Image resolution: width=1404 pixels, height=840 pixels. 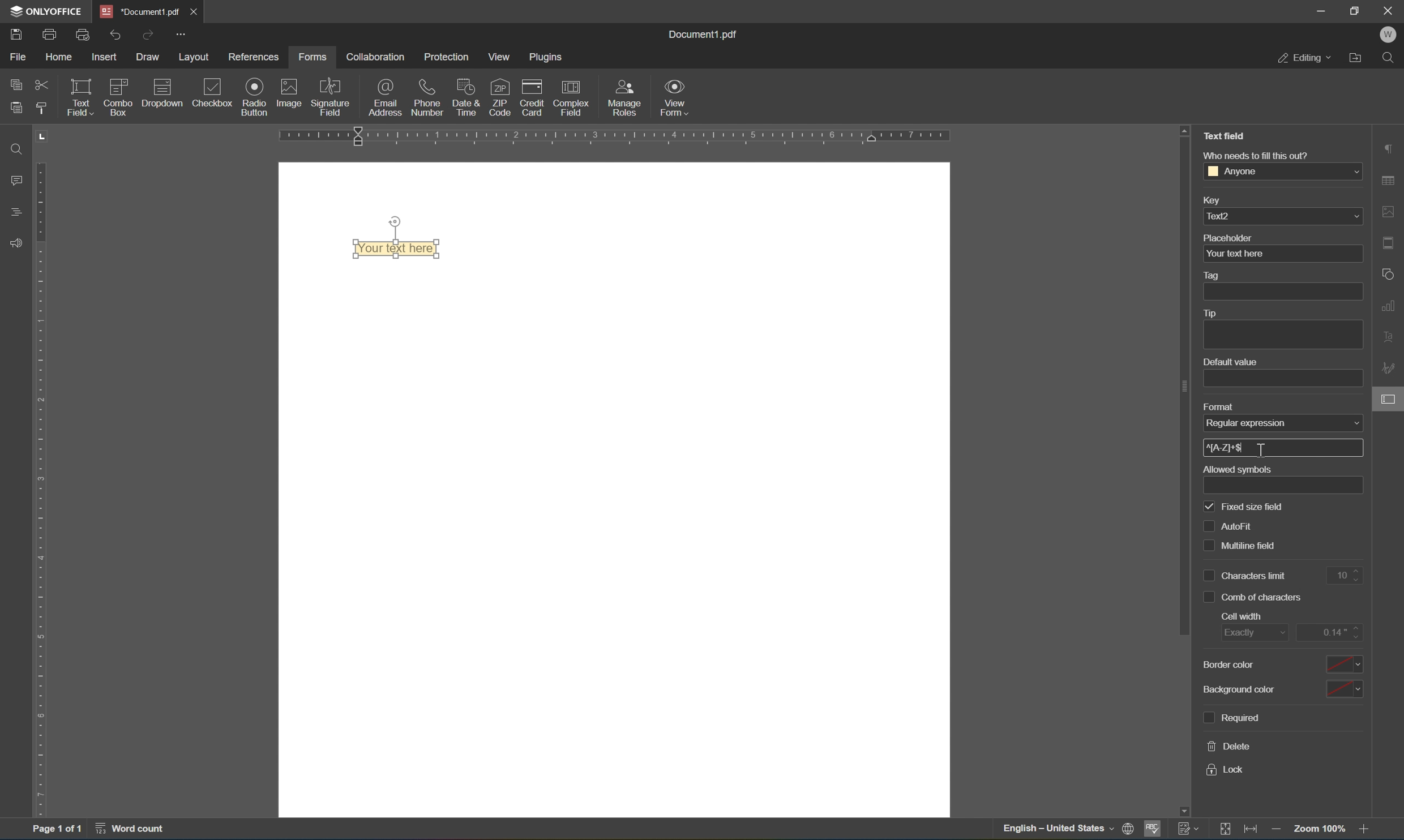 What do you see at coordinates (195, 57) in the screenshot?
I see `layout` at bounding box center [195, 57].